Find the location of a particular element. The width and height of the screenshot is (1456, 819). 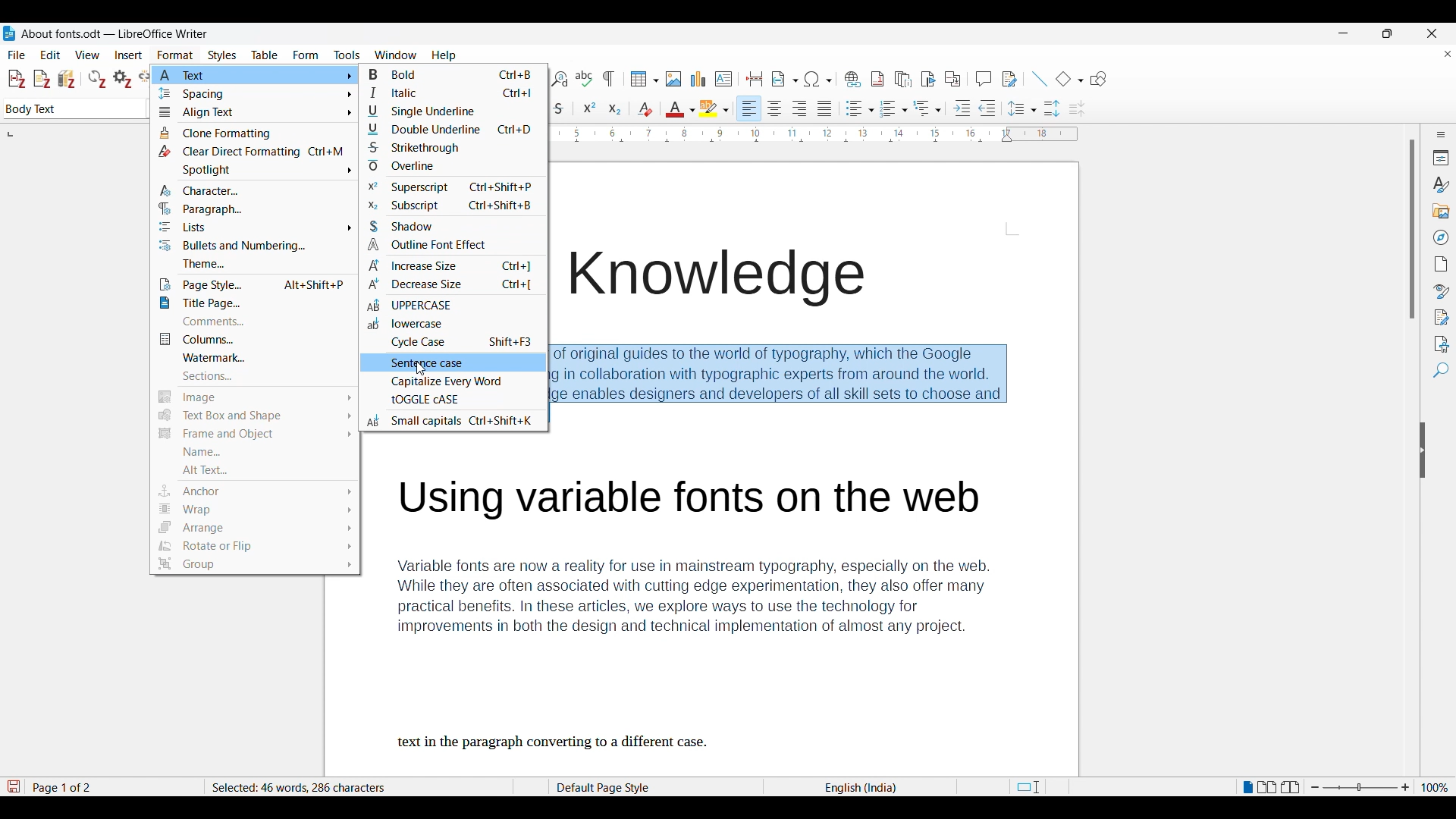

Insert chart is located at coordinates (698, 79).